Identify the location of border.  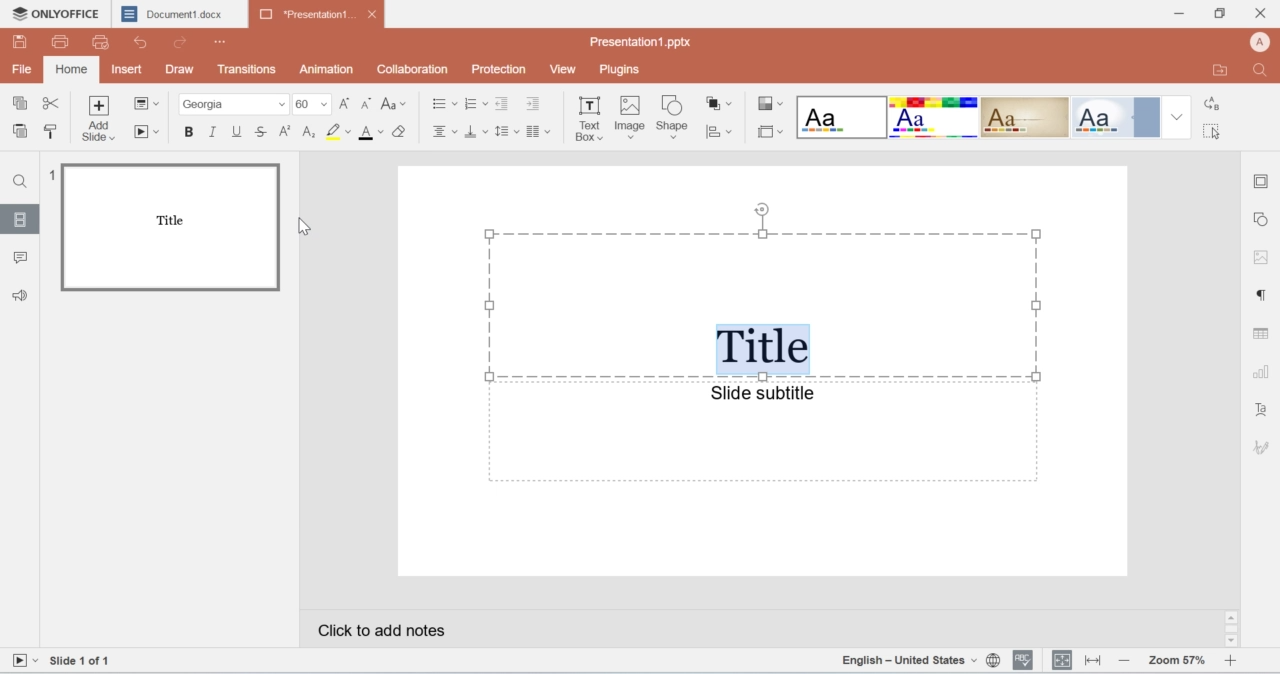
(767, 131).